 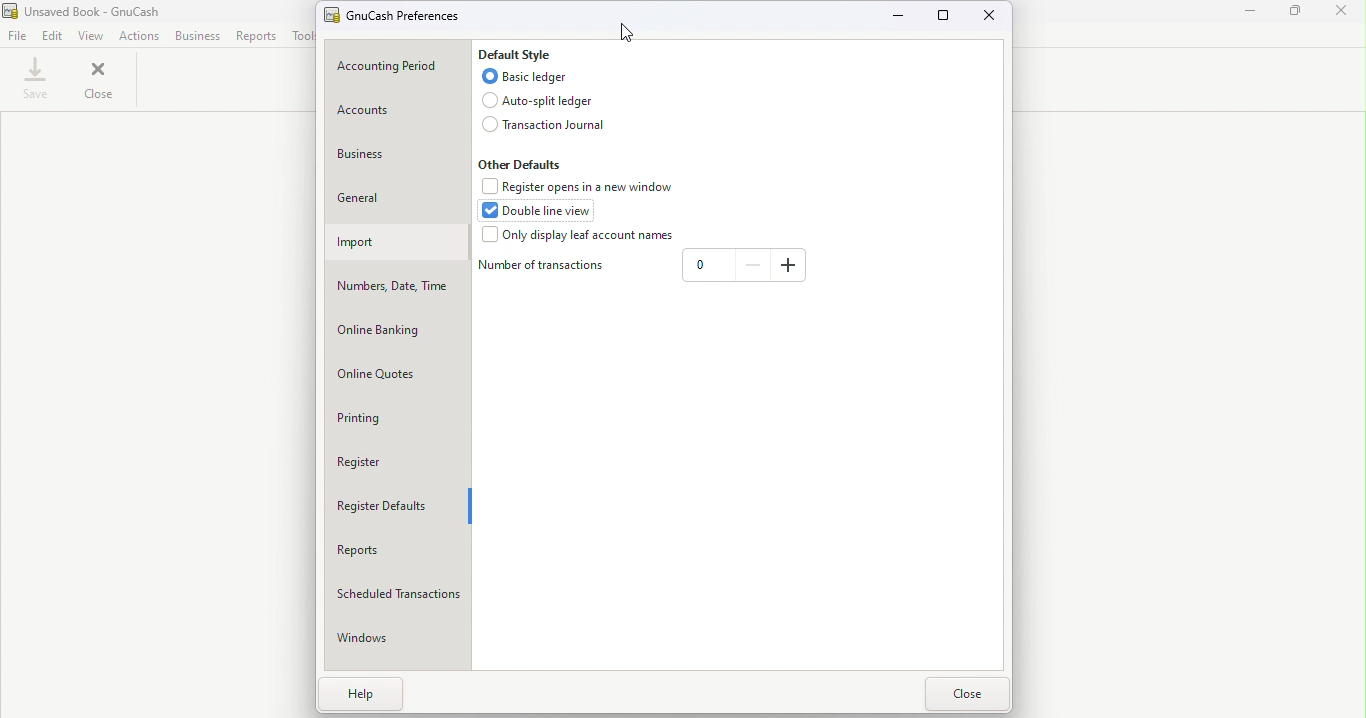 I want to click on File name, so click(x=21, y=38).